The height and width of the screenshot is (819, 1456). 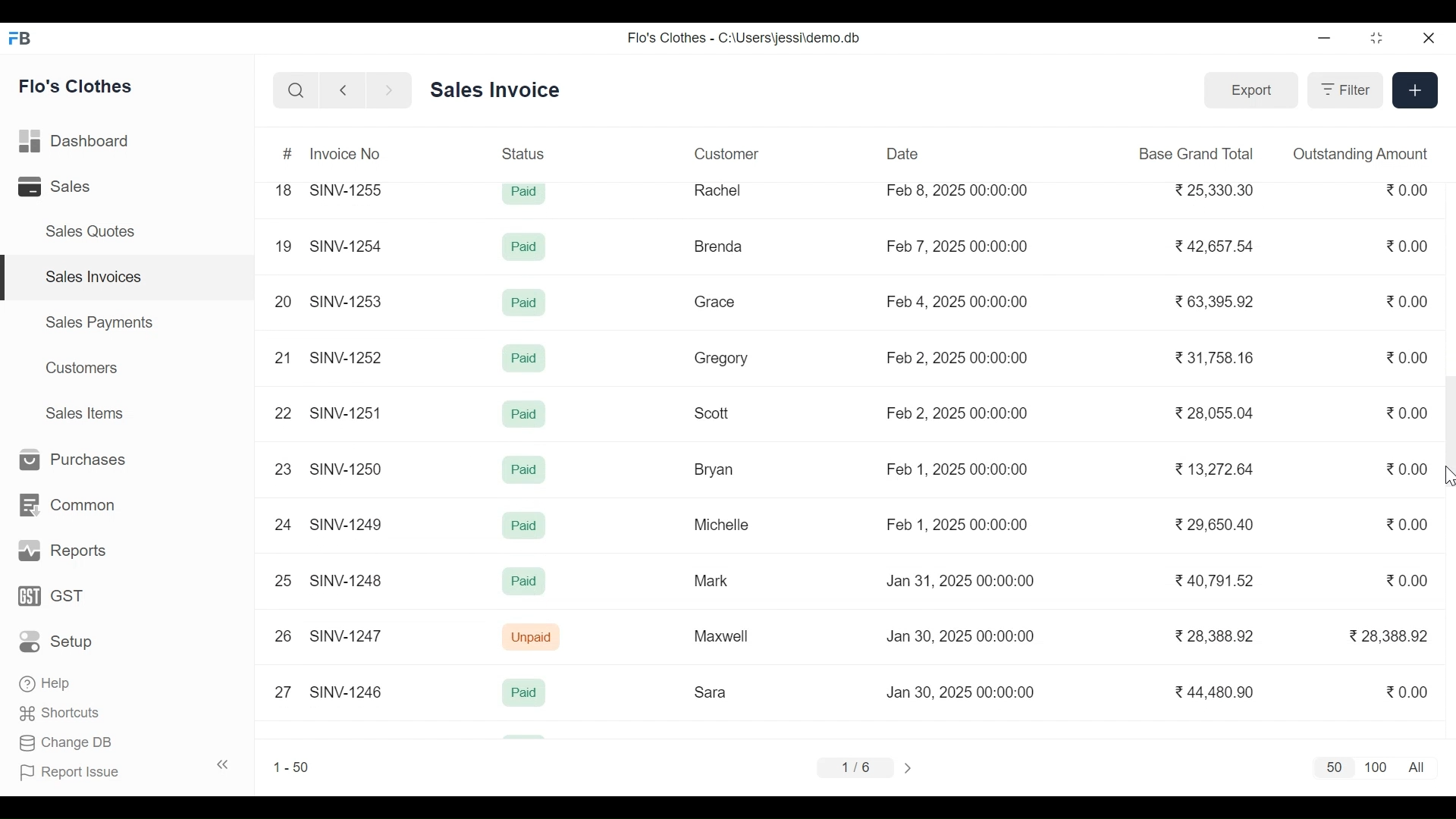 What do you see at coordinates (1409, 246) in the screenshot?
I see `0.00` at bounding box center [1409, 246].